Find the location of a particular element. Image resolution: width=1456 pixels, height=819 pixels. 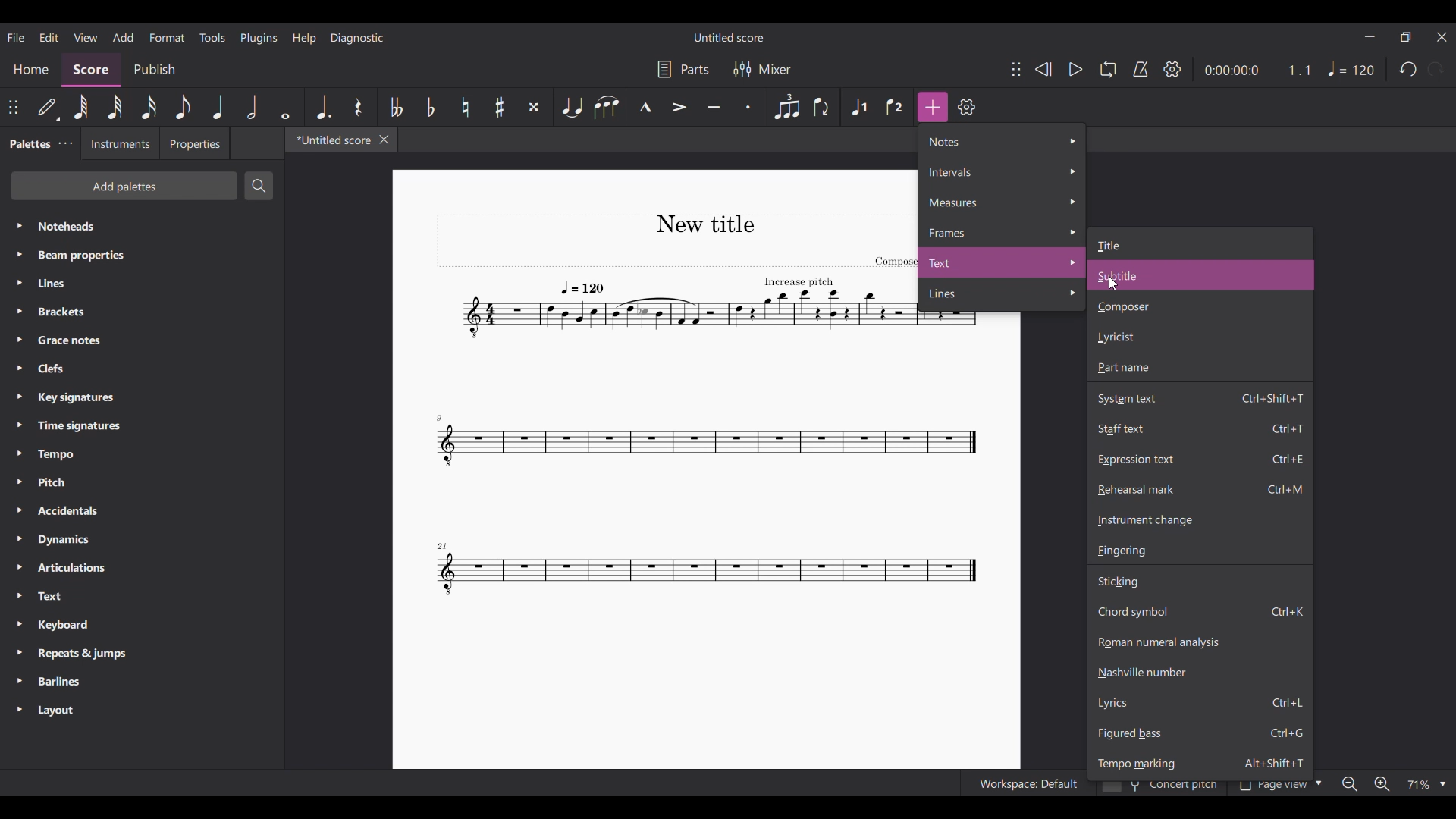

Tempo is located at coordinates (142, 454).